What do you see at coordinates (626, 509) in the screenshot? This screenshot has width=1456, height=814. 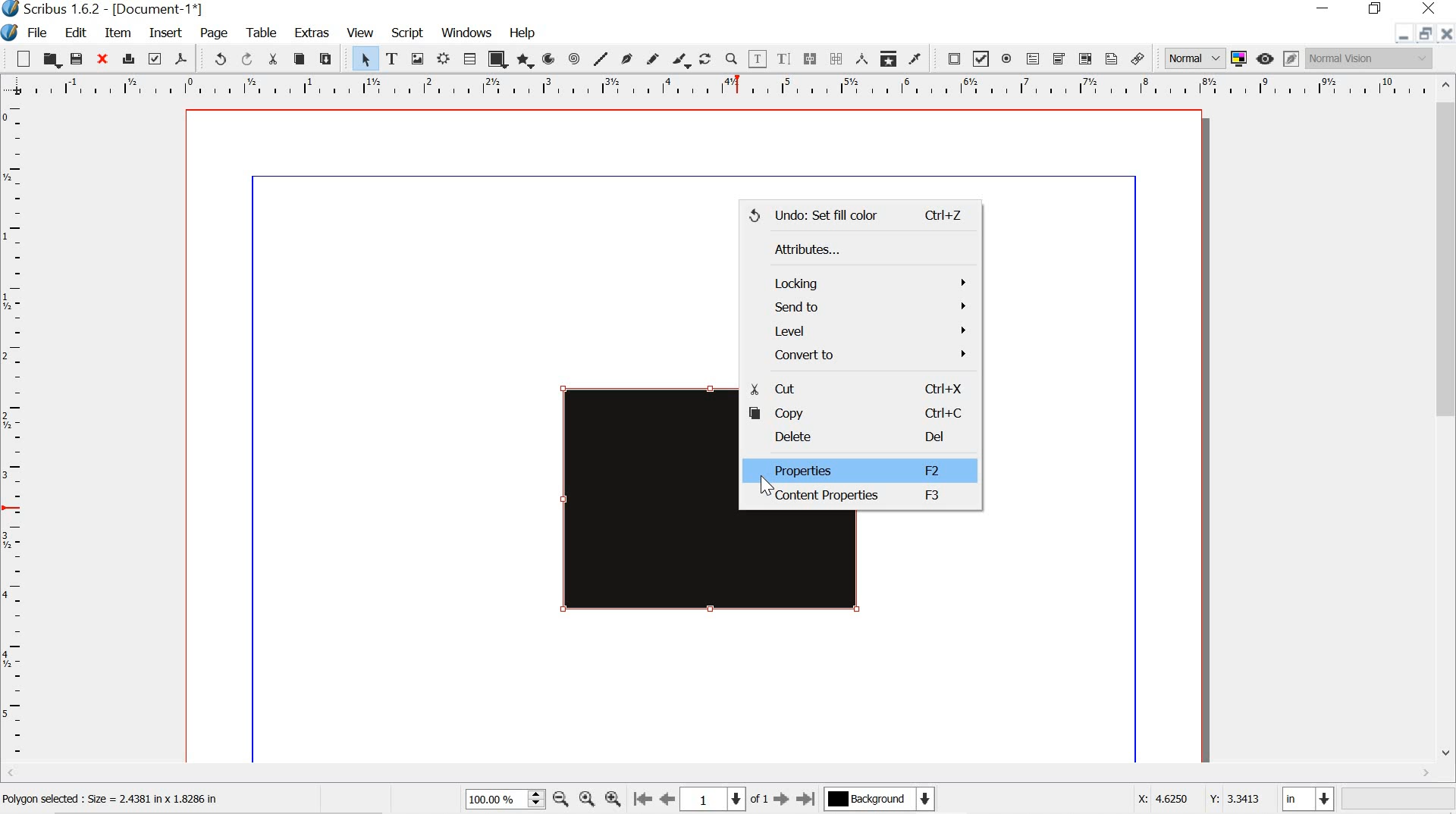 I see `black polygon` at bounding box center [626, 509].